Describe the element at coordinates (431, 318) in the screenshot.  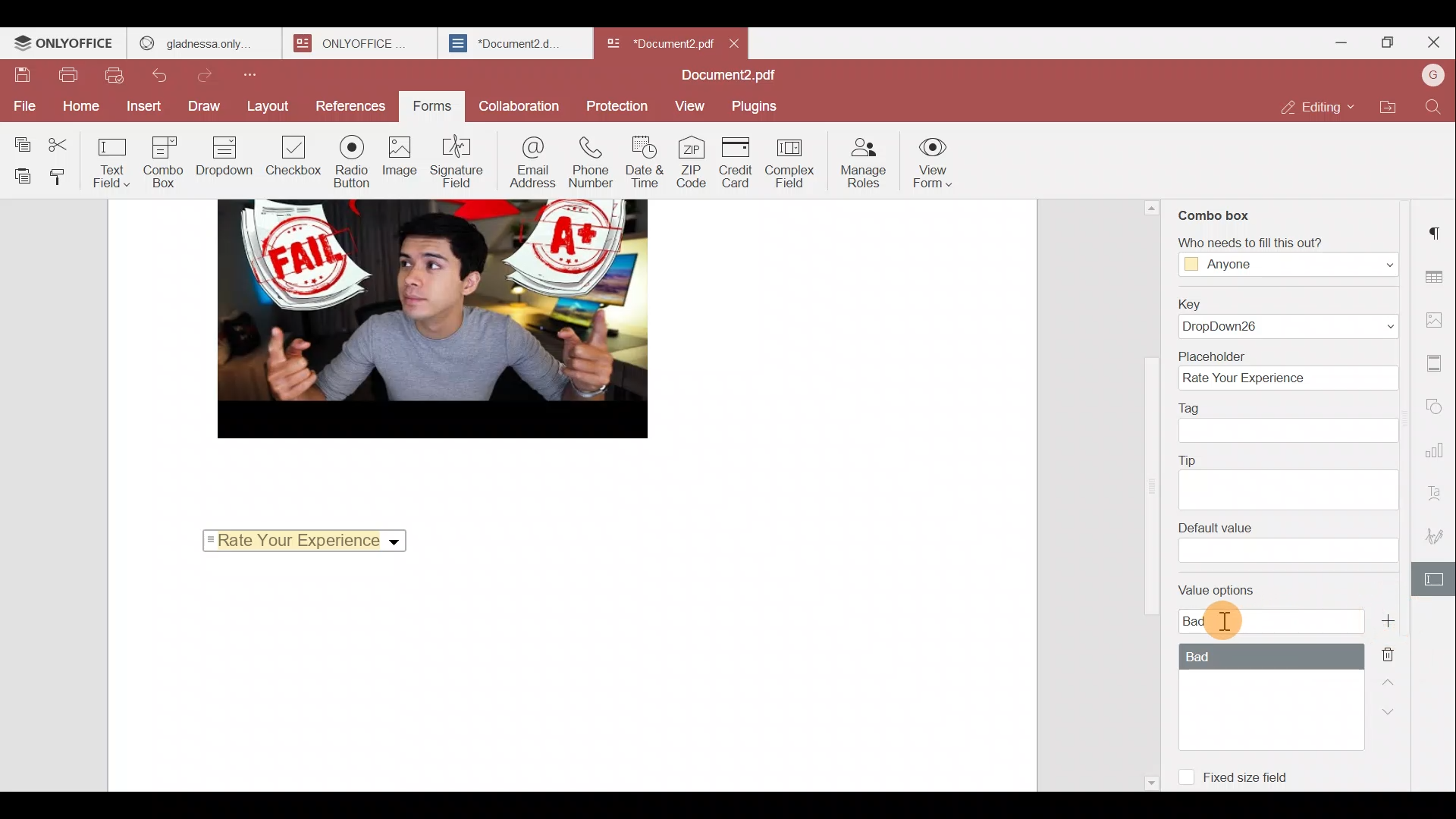
I see `image` at that location.